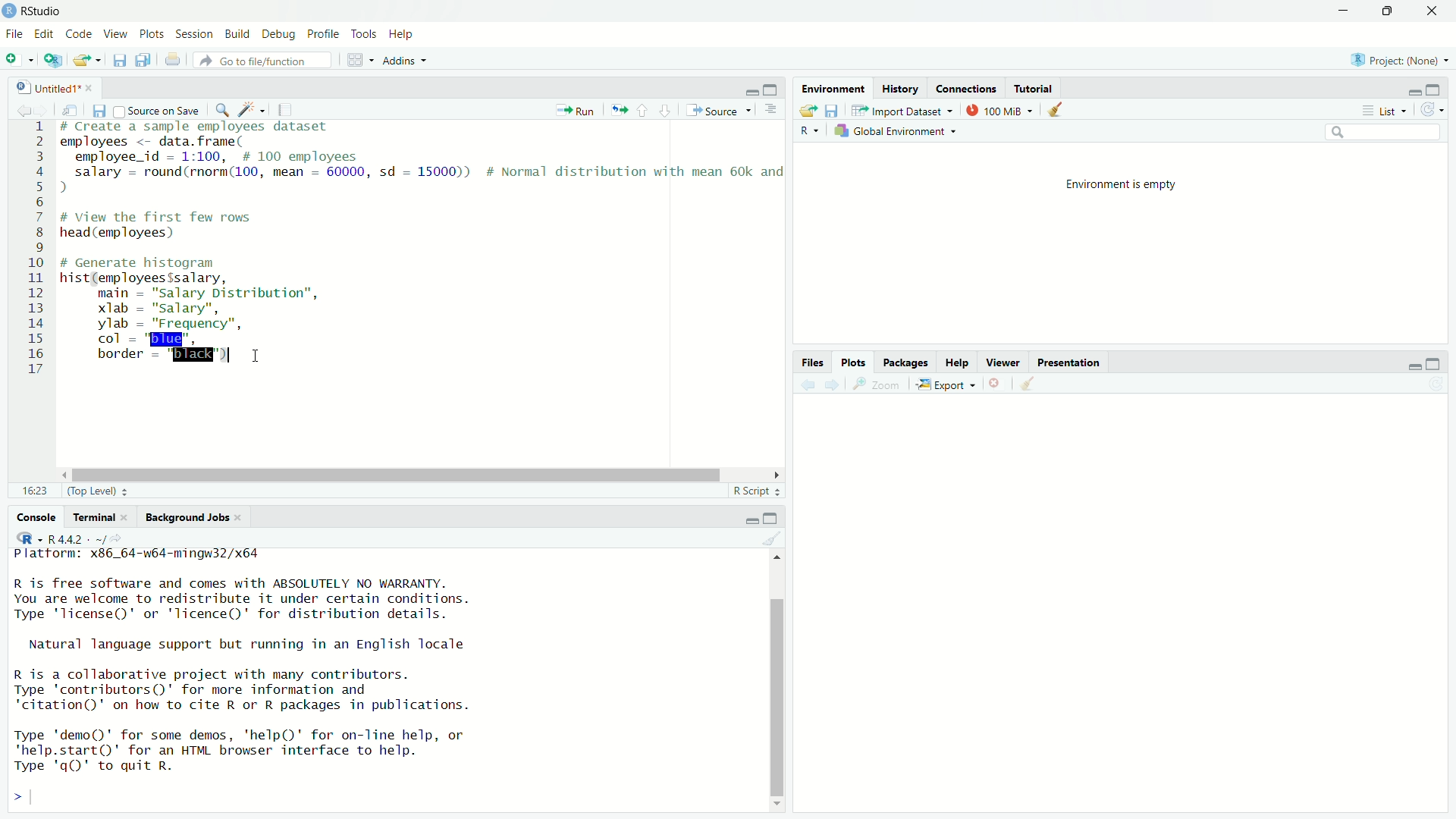 This screenshot has height=819, width=1456. Describe the element at coordinates (266, 60) in the screenshot. I see `Go to file/function` at that location.